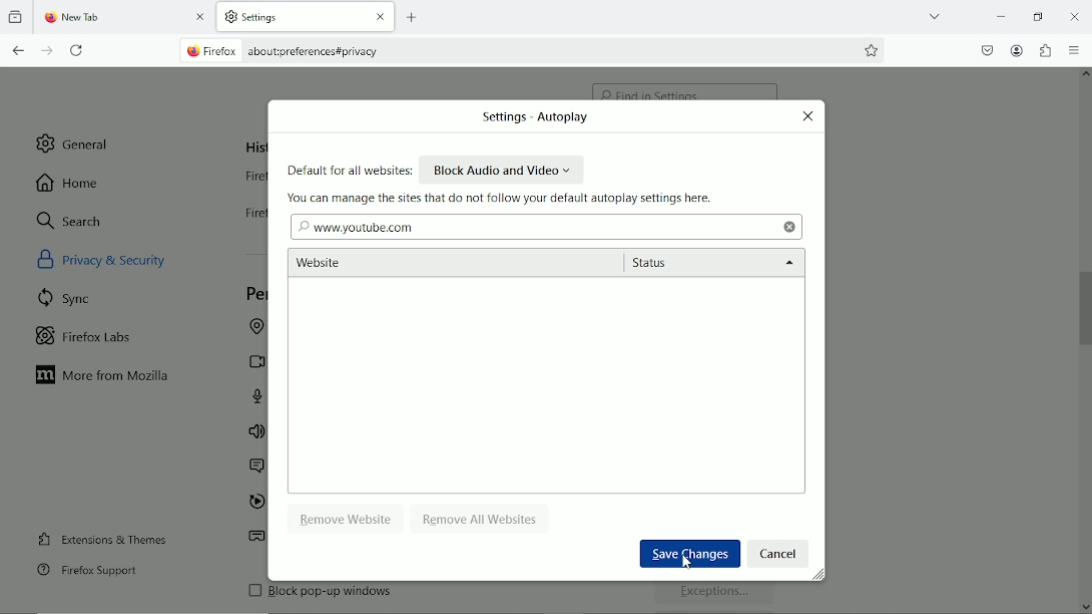 The height and width of the screenshot is (614, 1092). I want to click on new tab, so click(414, 17).